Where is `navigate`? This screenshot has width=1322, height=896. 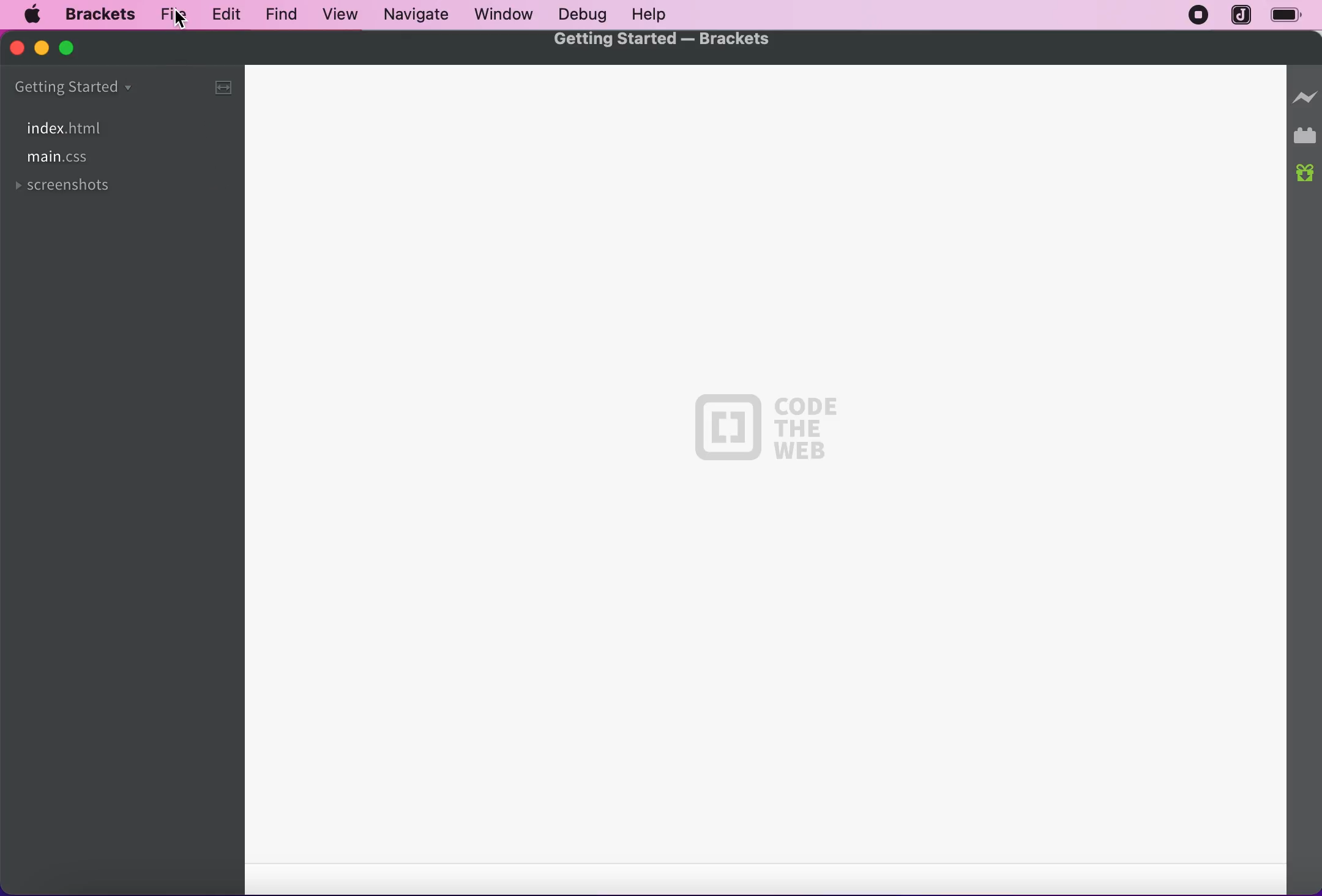
navigate is located at coordinates (417, 15).